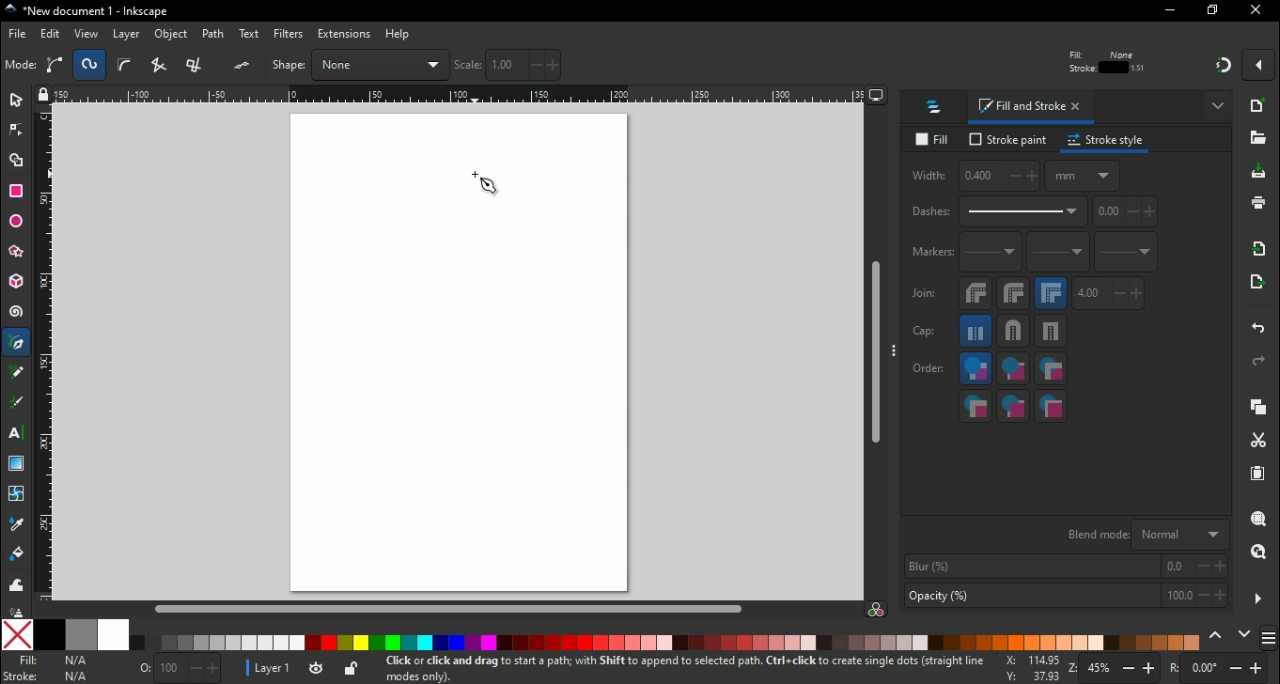  I want to click on mode, so click(21, 66).